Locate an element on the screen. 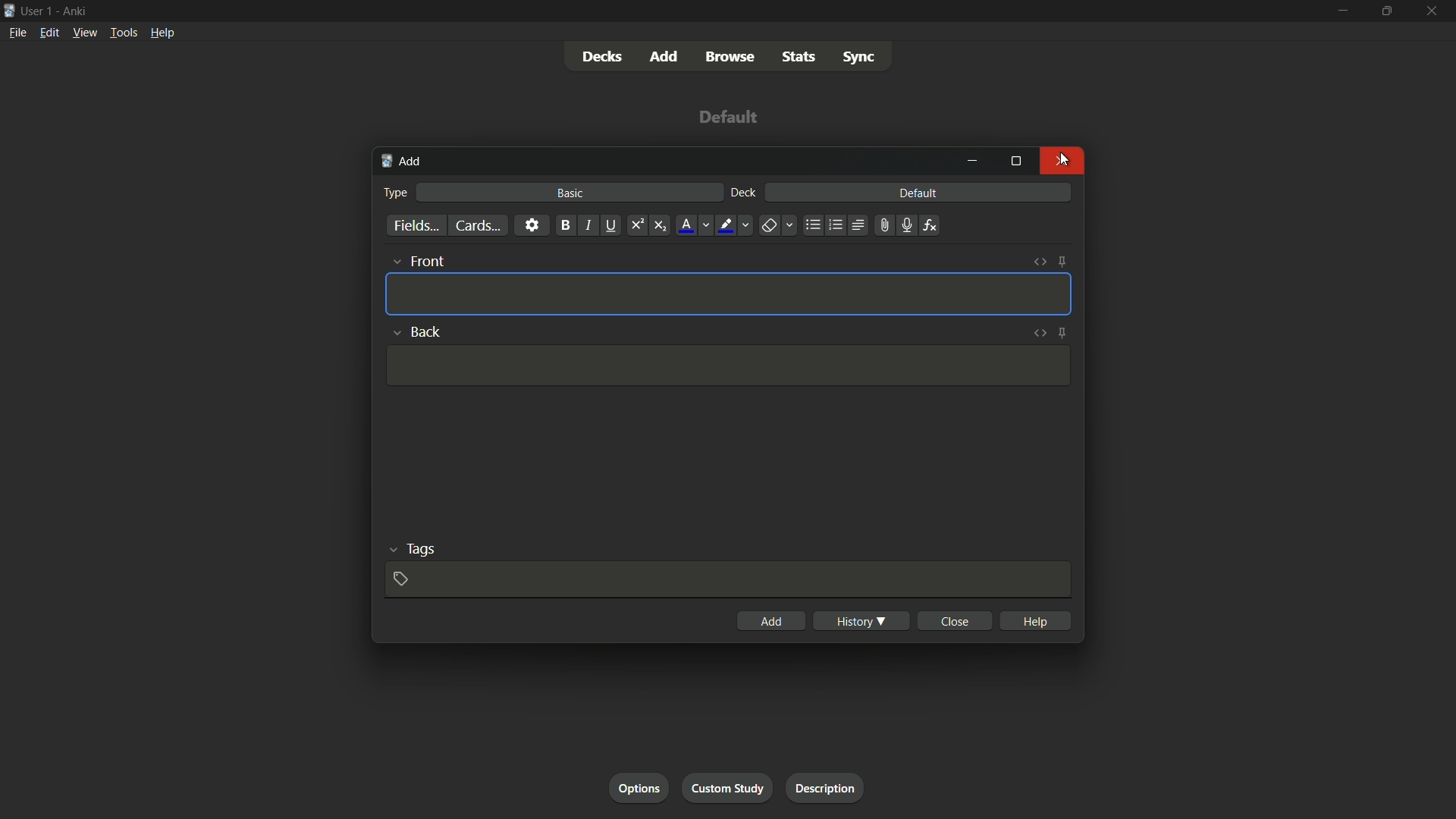  maximize is located at coordinates (1387, 11).